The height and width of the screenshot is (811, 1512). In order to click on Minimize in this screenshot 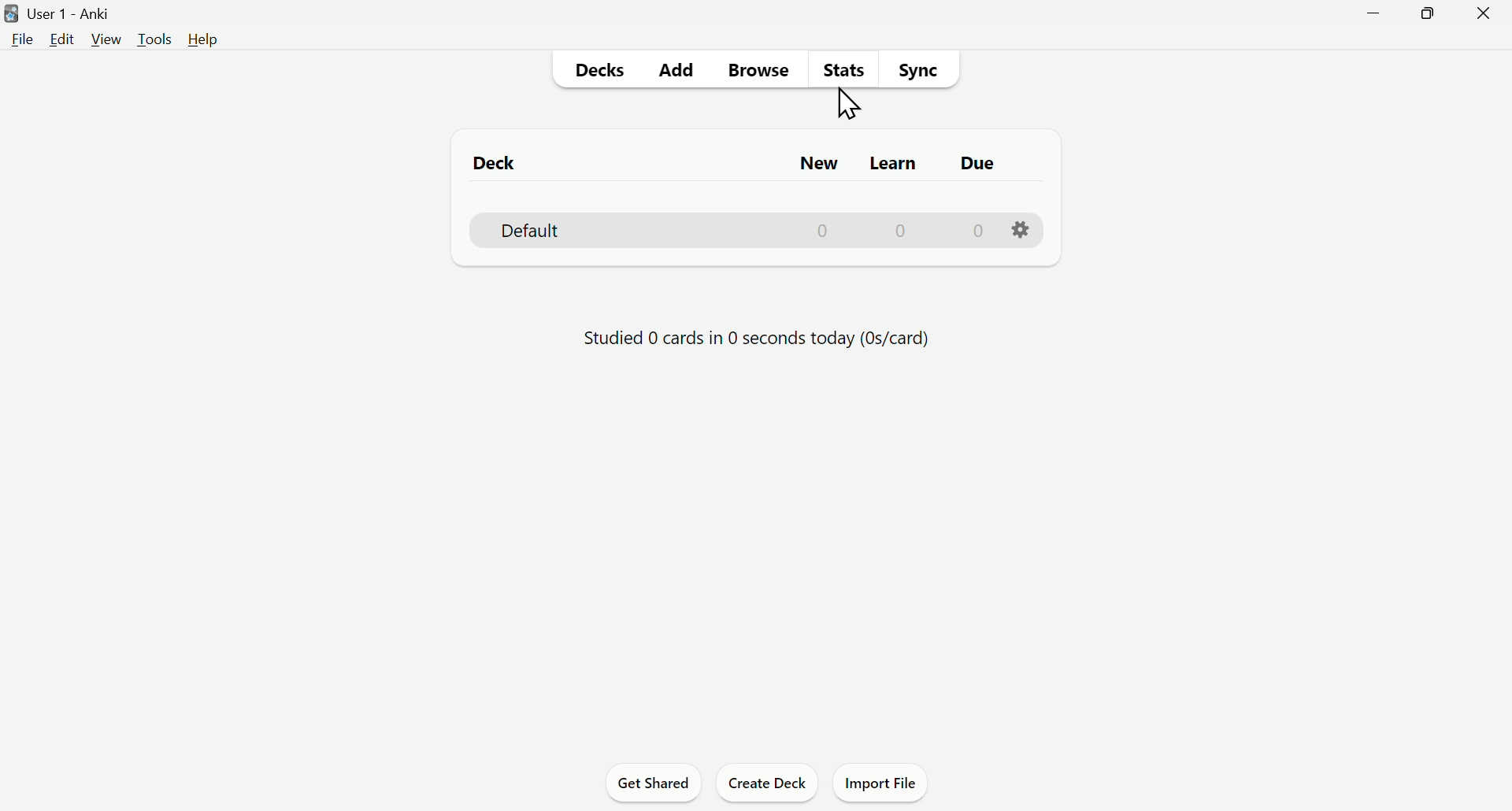, I will do `click(1370, 20)`.